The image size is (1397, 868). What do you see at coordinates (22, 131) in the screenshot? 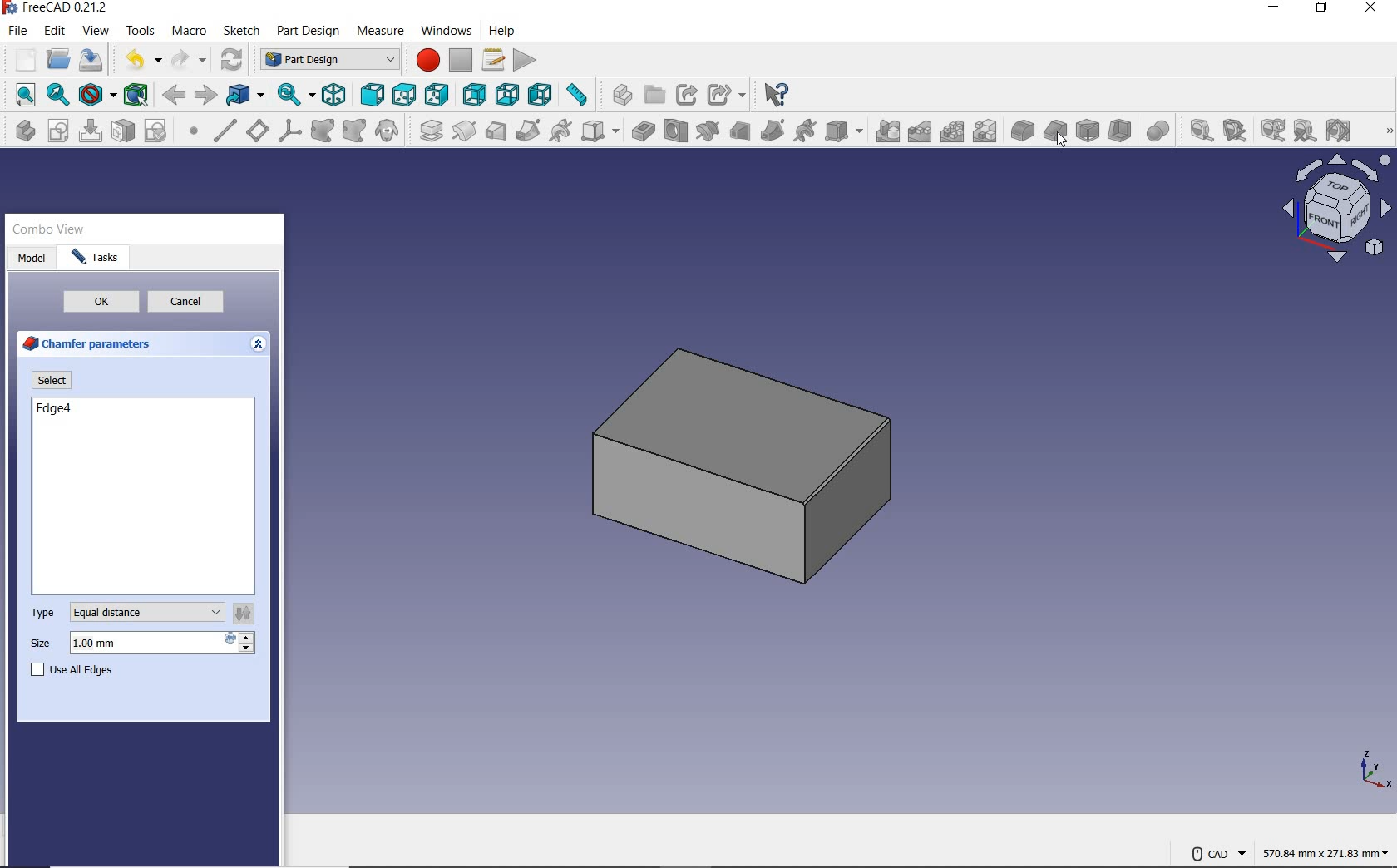
I see `ceate body` at bounding box center [22, 131].